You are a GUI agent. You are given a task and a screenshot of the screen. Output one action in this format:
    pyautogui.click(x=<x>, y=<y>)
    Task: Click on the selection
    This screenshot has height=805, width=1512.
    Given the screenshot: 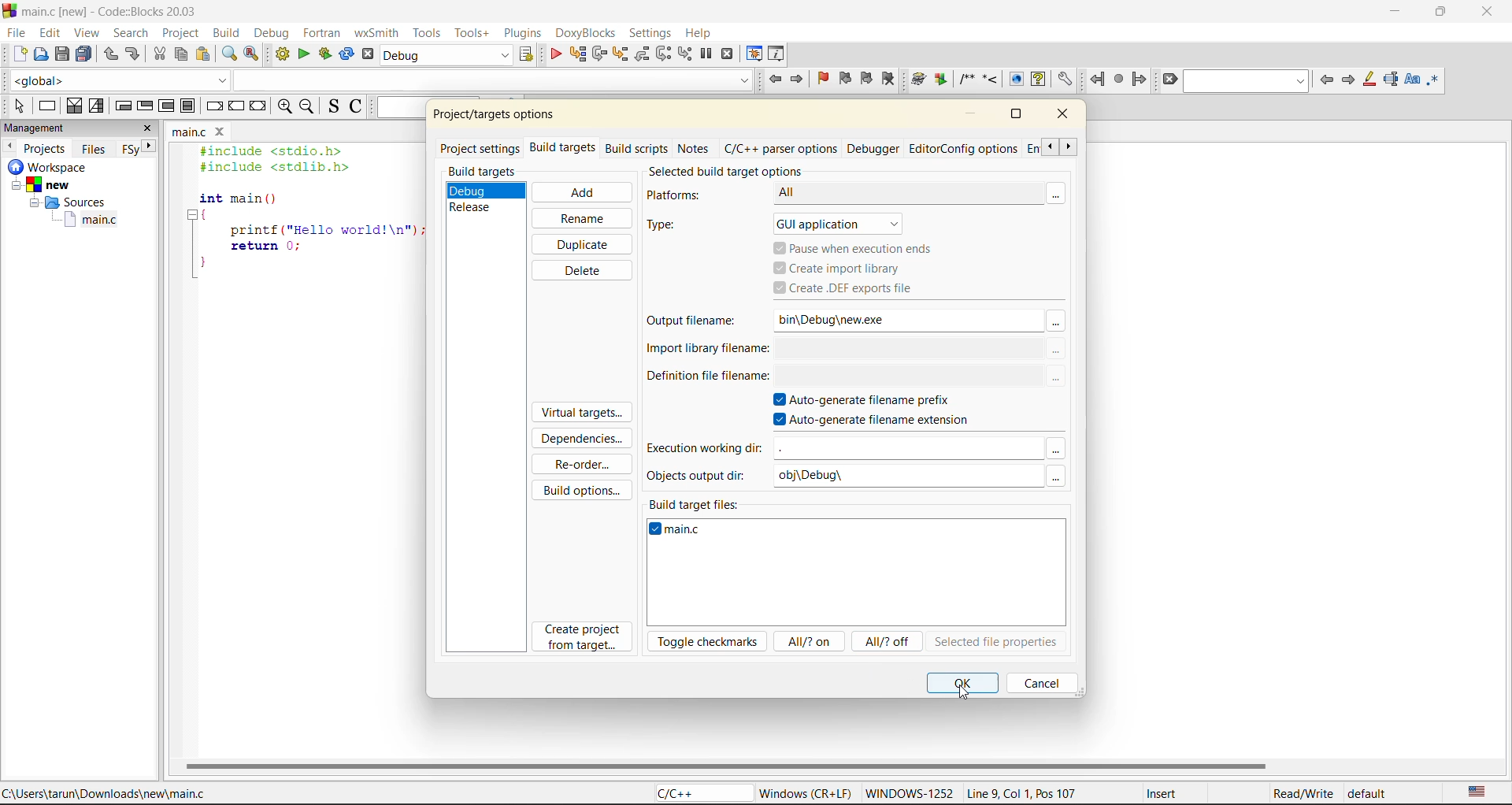 What is the action you would take?
    pyautogui.click(x=98, y=106)
    